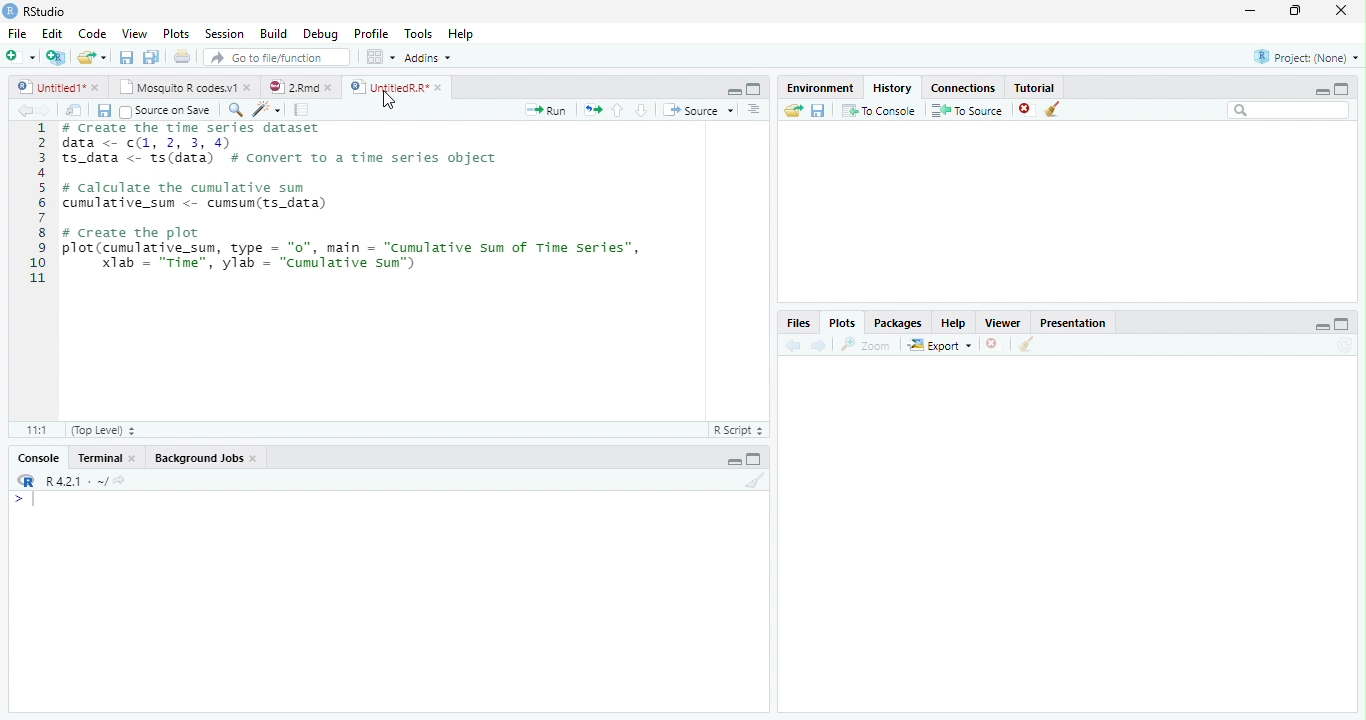  I want to click on Profile, so click(372, 35).